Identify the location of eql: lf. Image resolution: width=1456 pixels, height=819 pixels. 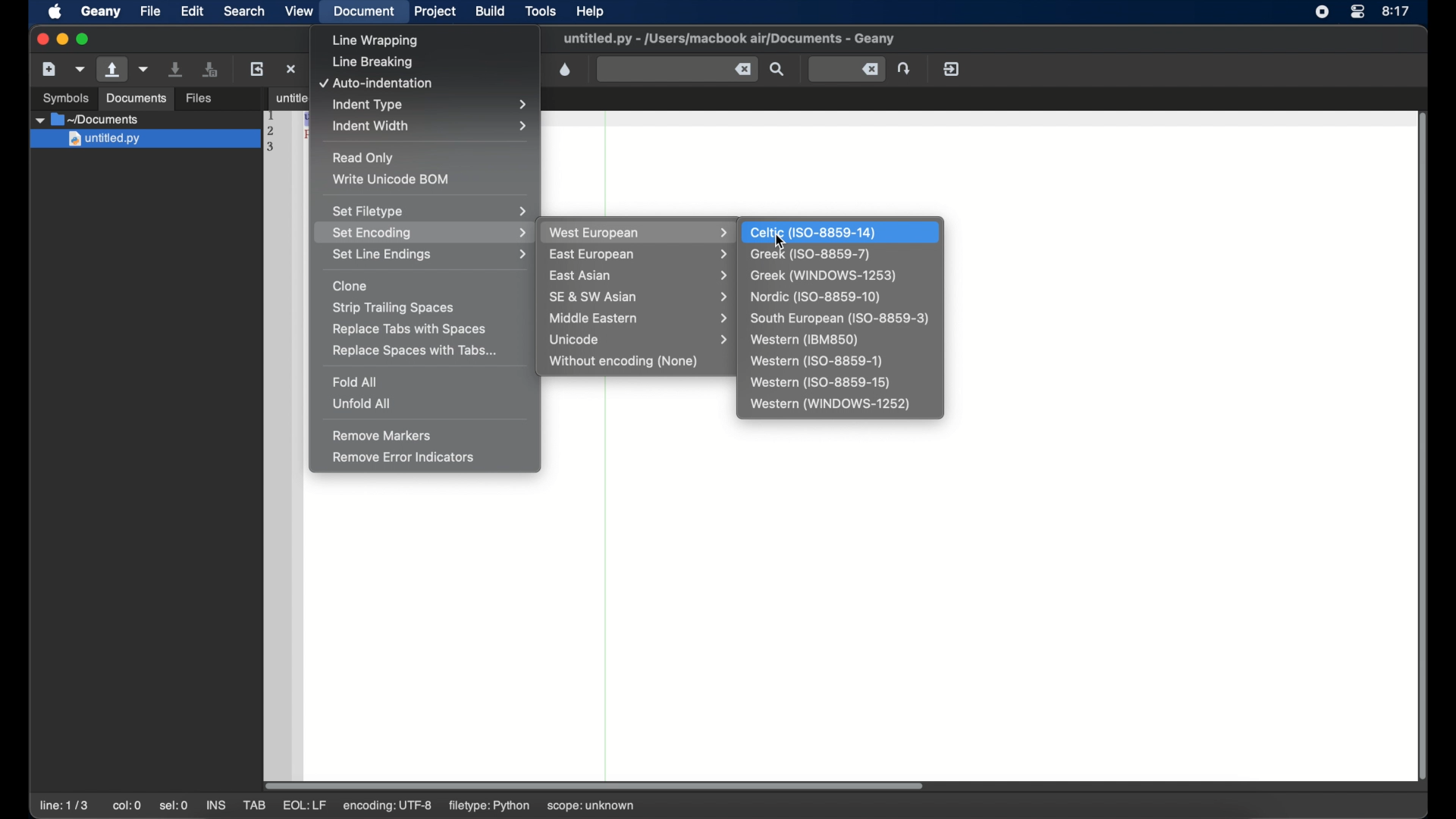
(388, 805).